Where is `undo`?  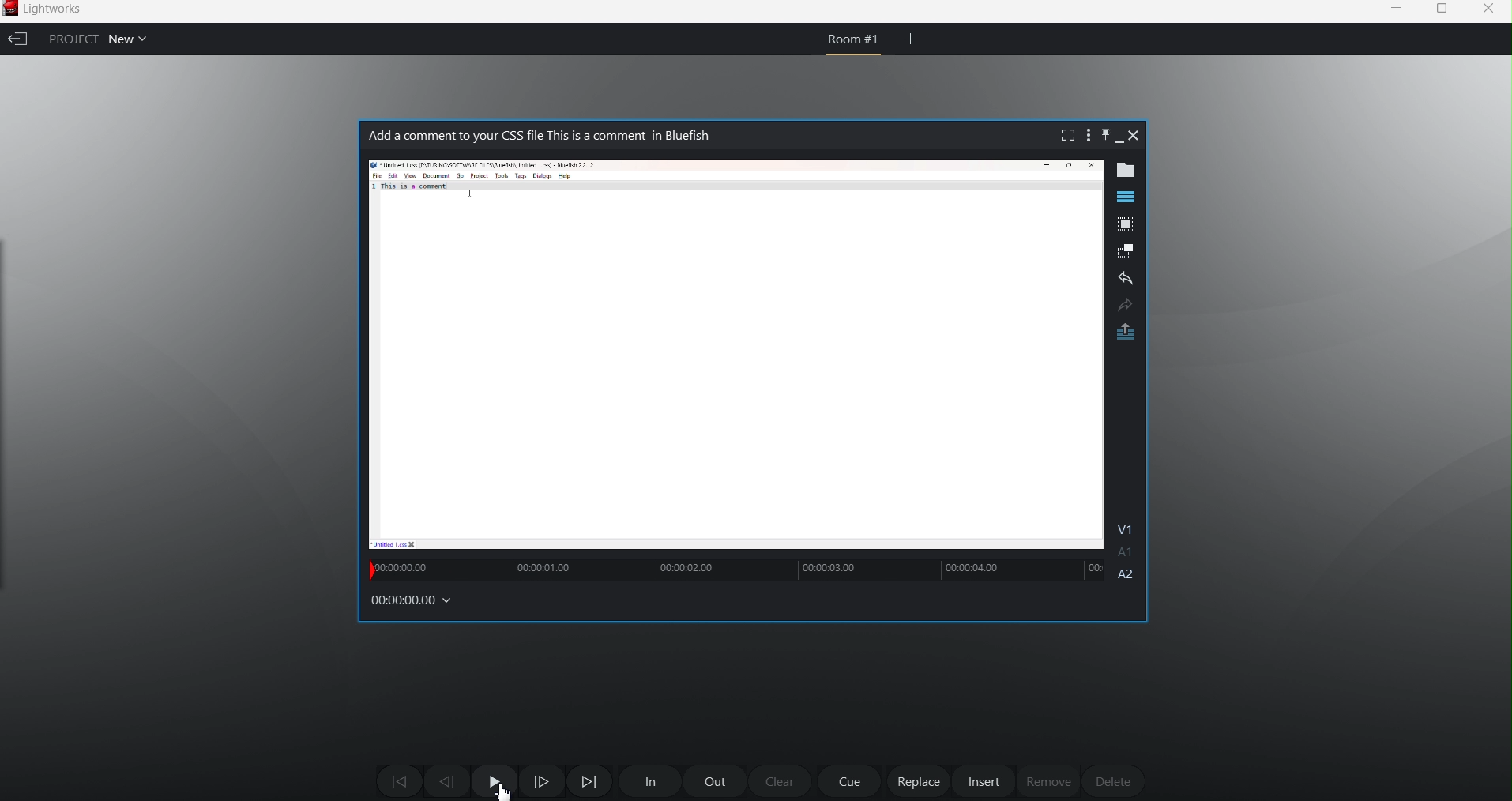 undo is located at coordinates (1126, 280).